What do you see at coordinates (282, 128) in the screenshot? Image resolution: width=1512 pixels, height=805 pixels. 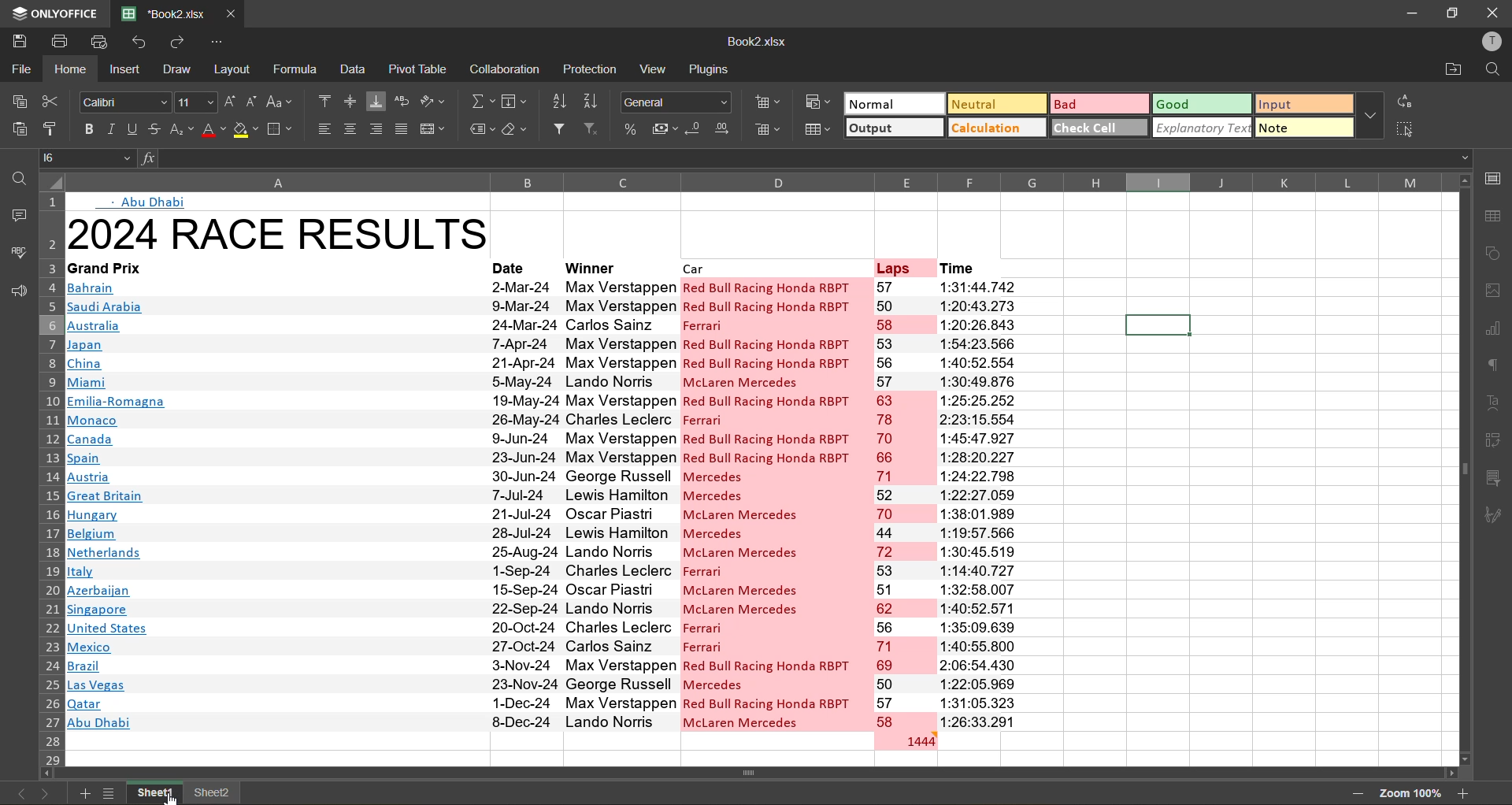 I see `borders` at bounding box center [282, 128].